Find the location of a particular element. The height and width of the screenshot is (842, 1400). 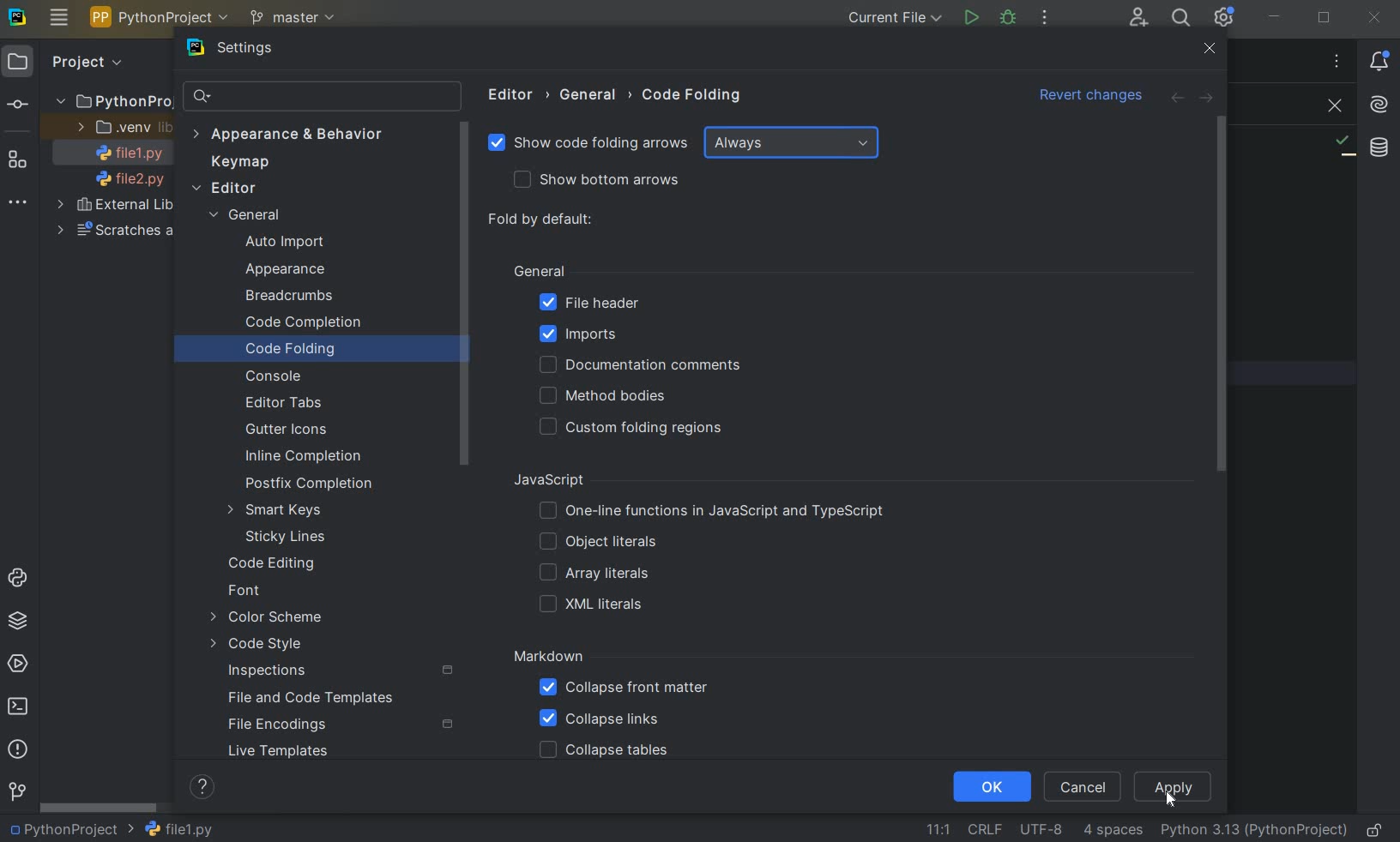

FILE NAME 2 is located at coordinates (122, 180).